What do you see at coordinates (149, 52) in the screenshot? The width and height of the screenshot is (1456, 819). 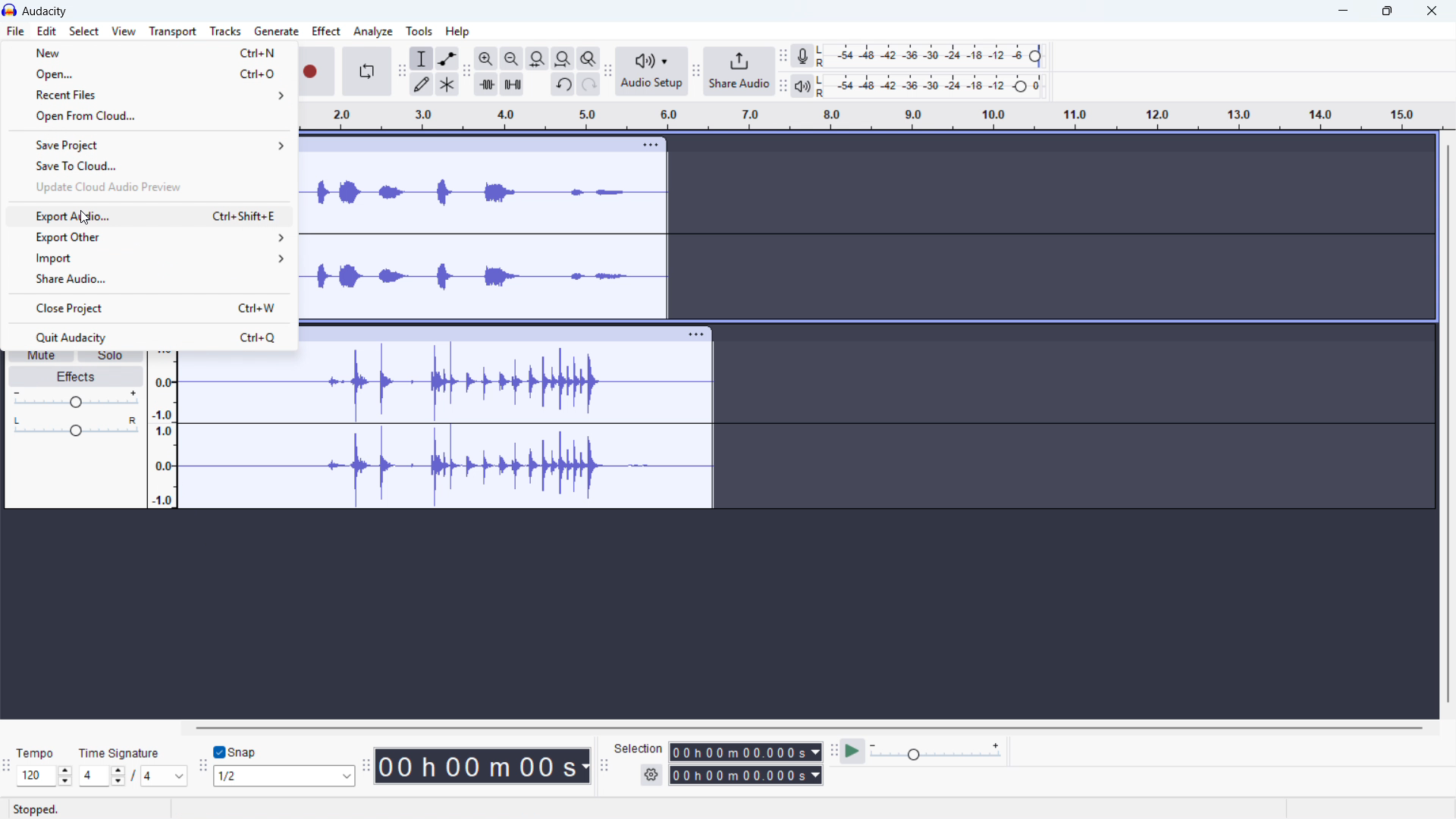 I see `New ` at bounding box center [149, 52].